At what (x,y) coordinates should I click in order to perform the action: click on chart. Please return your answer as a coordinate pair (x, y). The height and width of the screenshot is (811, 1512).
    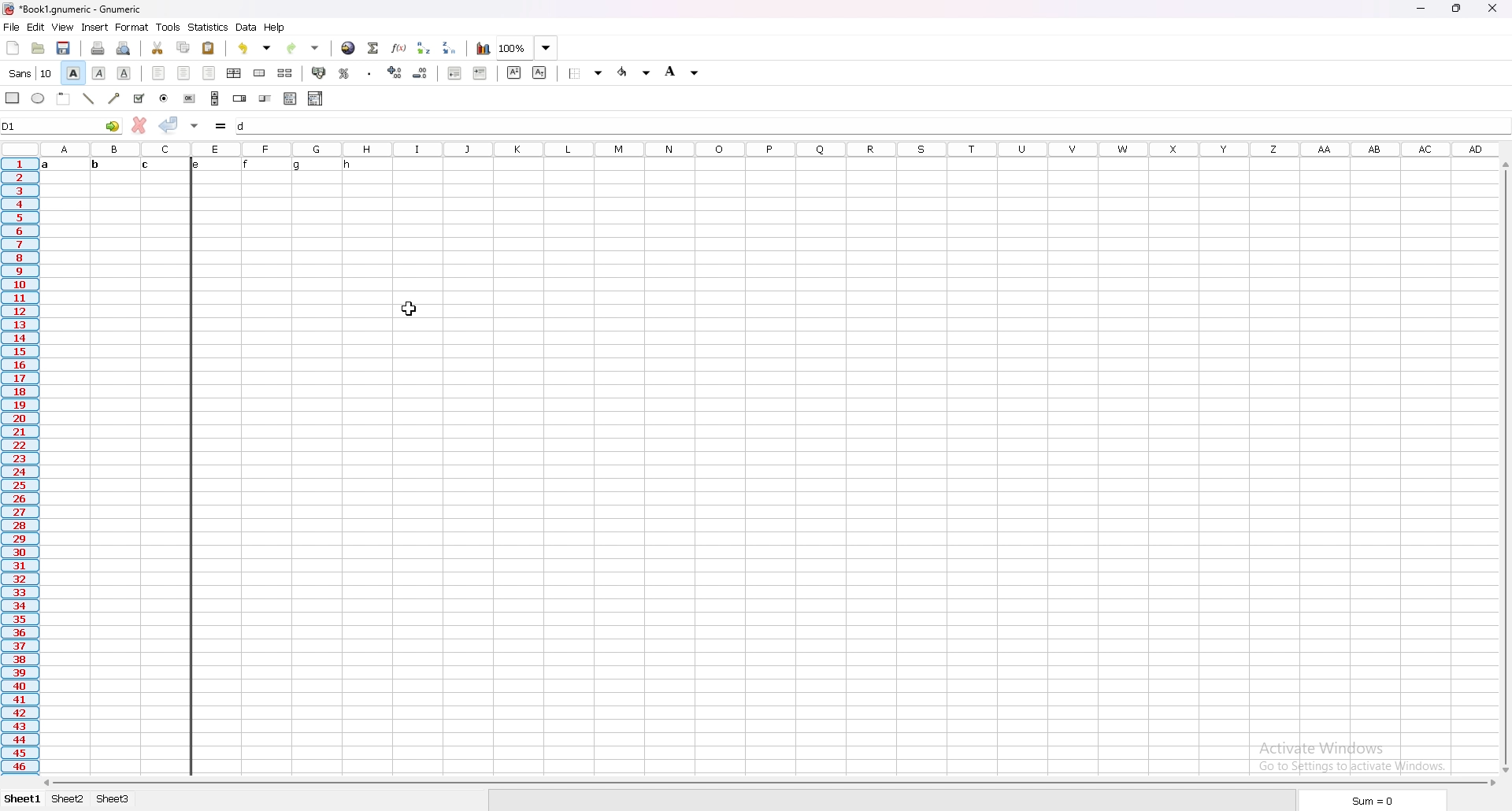
    Looking at the image, I should click on (483, 48).